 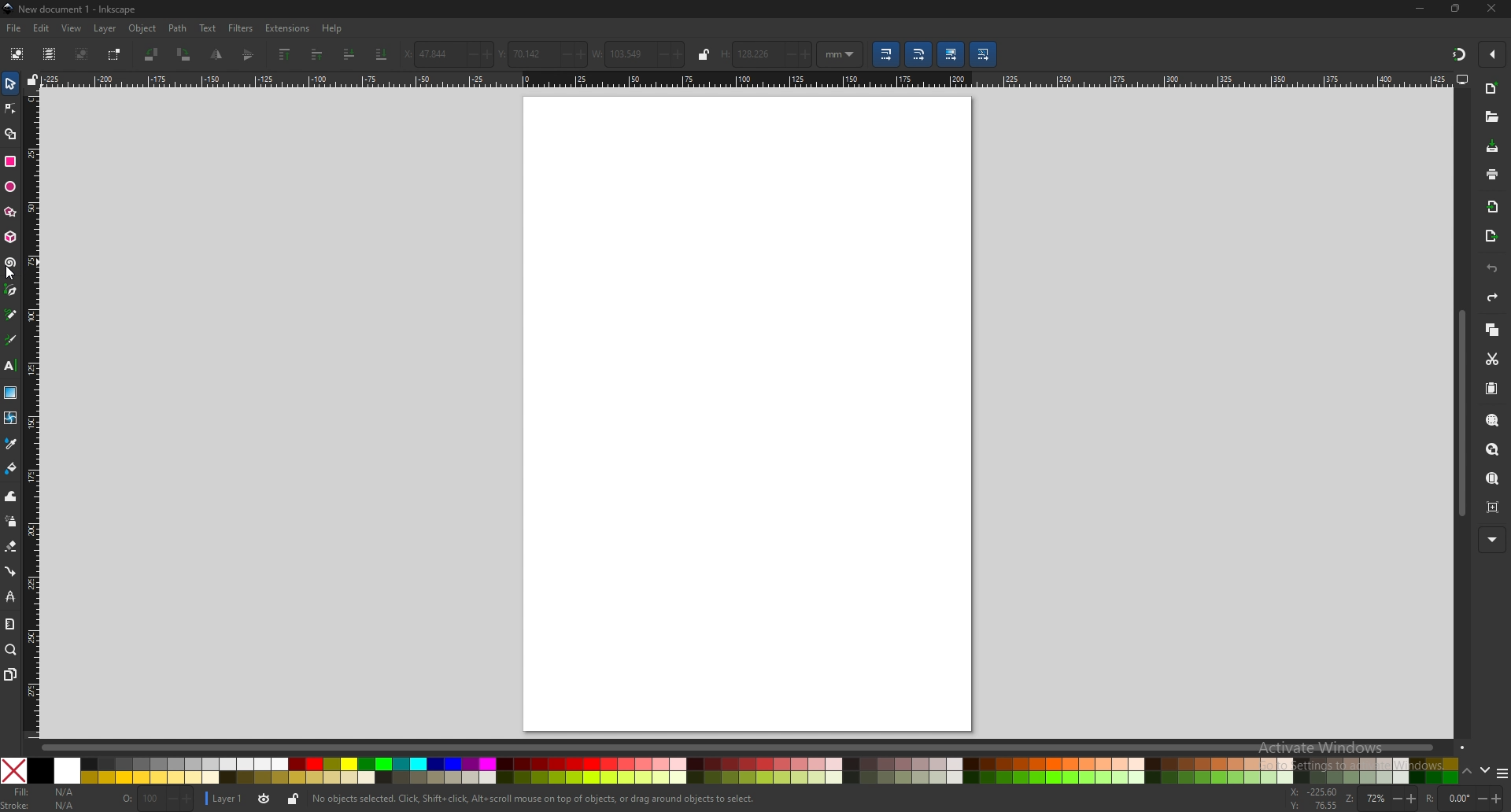 What do you see at coordinates (334, 28) in the screenshot?
I see `help` at bounding box center [334, 28].